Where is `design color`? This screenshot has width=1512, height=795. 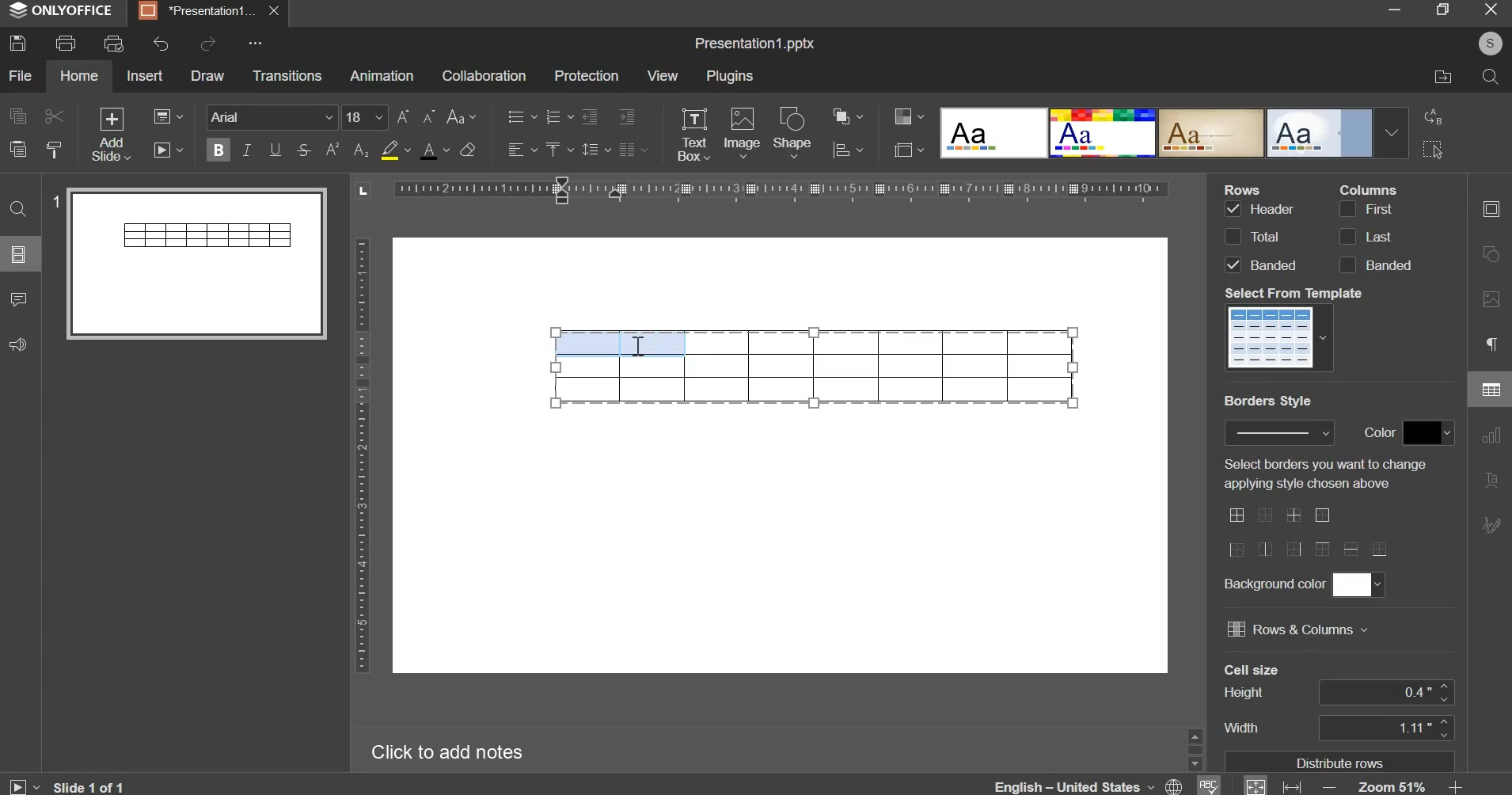
design color is located at coordinates (906, 116).